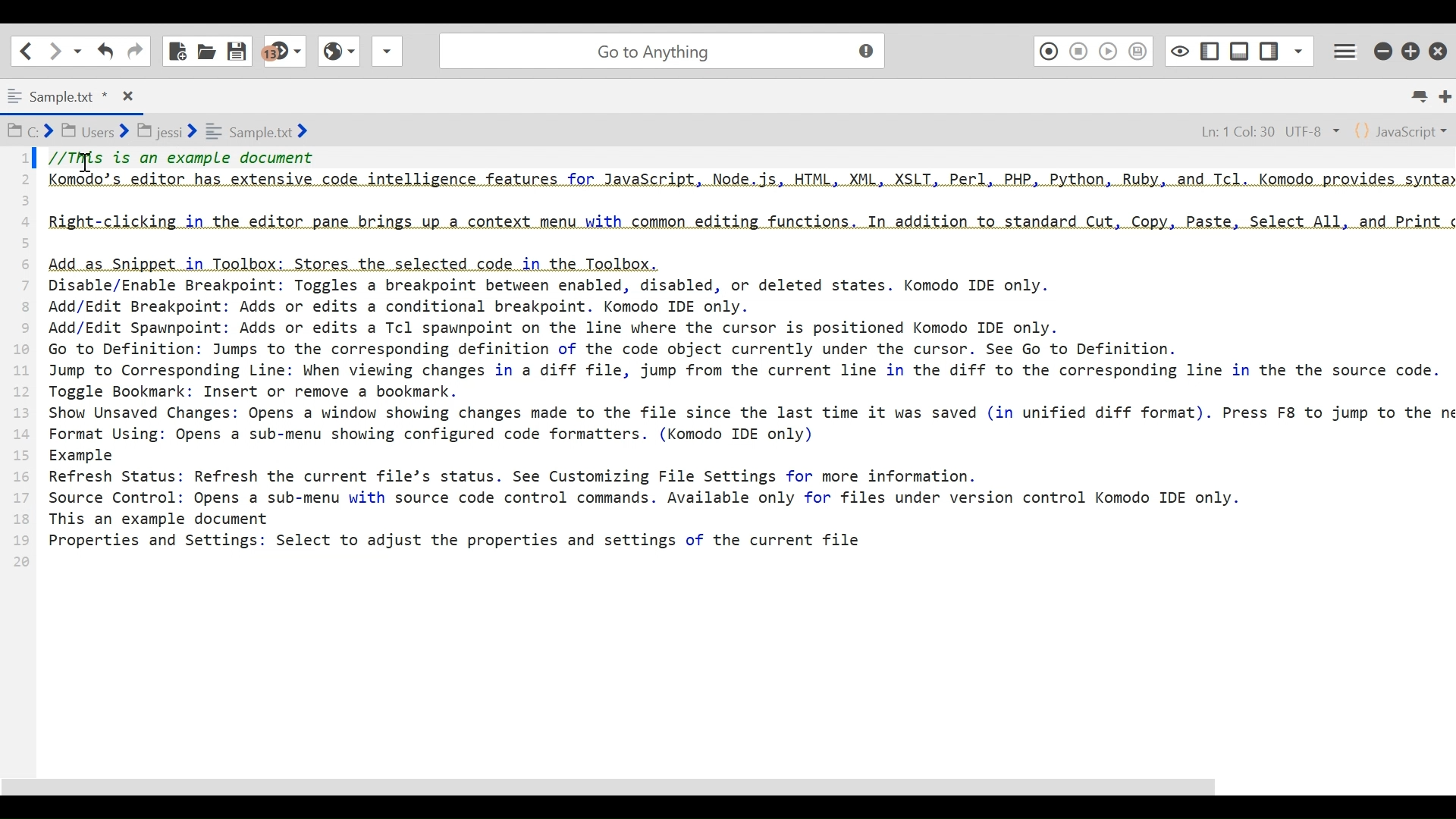 Image resolution: width=1456 pixels, height=819 pixels. What do you see at coordinates (1263, 129) in the screenshot?
I see `File Position` at bounding box center [1263, 129].